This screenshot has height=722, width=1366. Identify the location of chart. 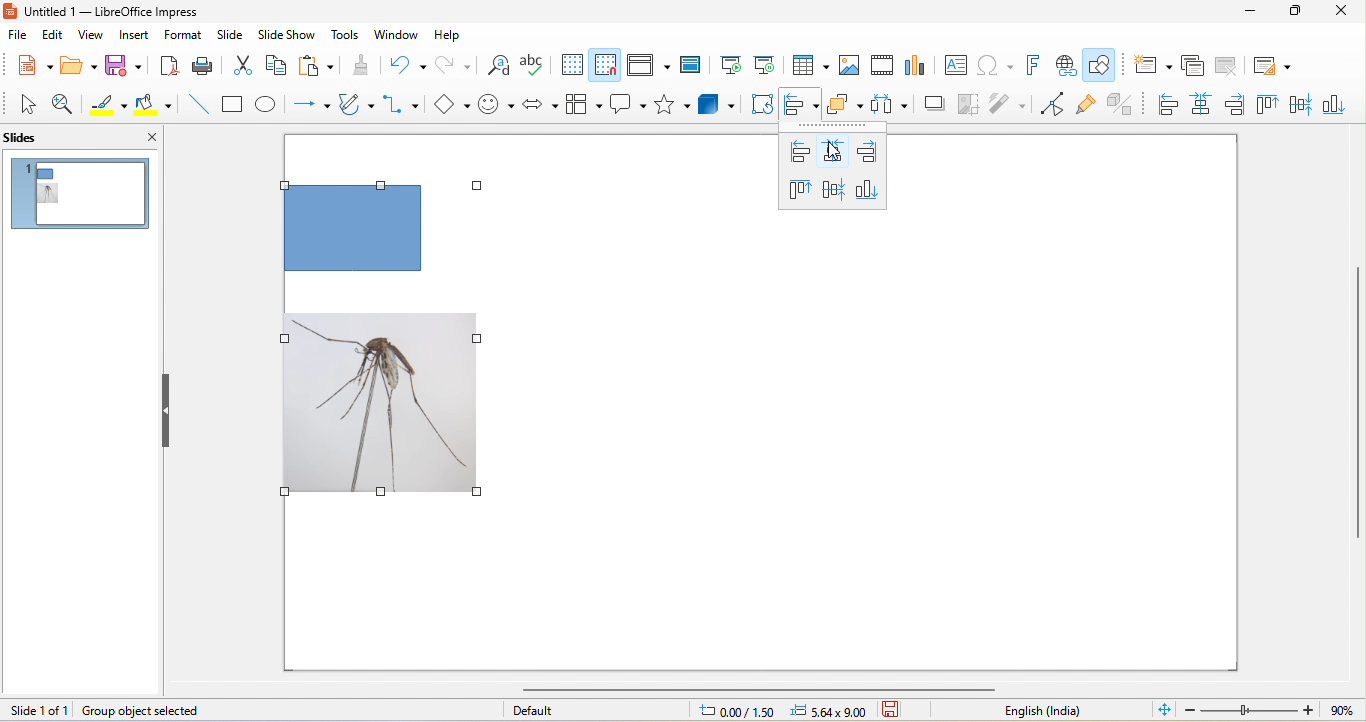
(916, 67).